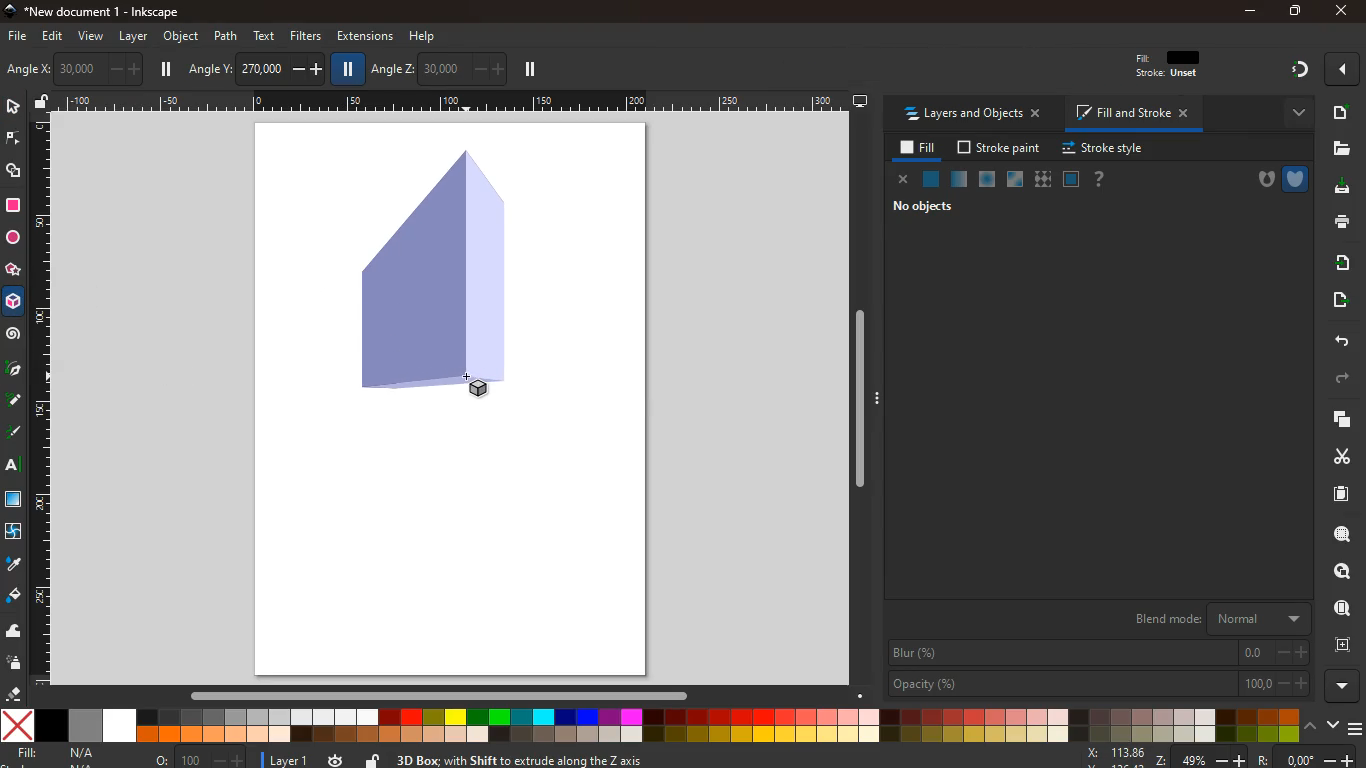 The height and width of the screenshot is (768, 1366). What do you see at coordinates (1340, 112) in the screenshot?
I see `new` at bounding box center [1340, 112].